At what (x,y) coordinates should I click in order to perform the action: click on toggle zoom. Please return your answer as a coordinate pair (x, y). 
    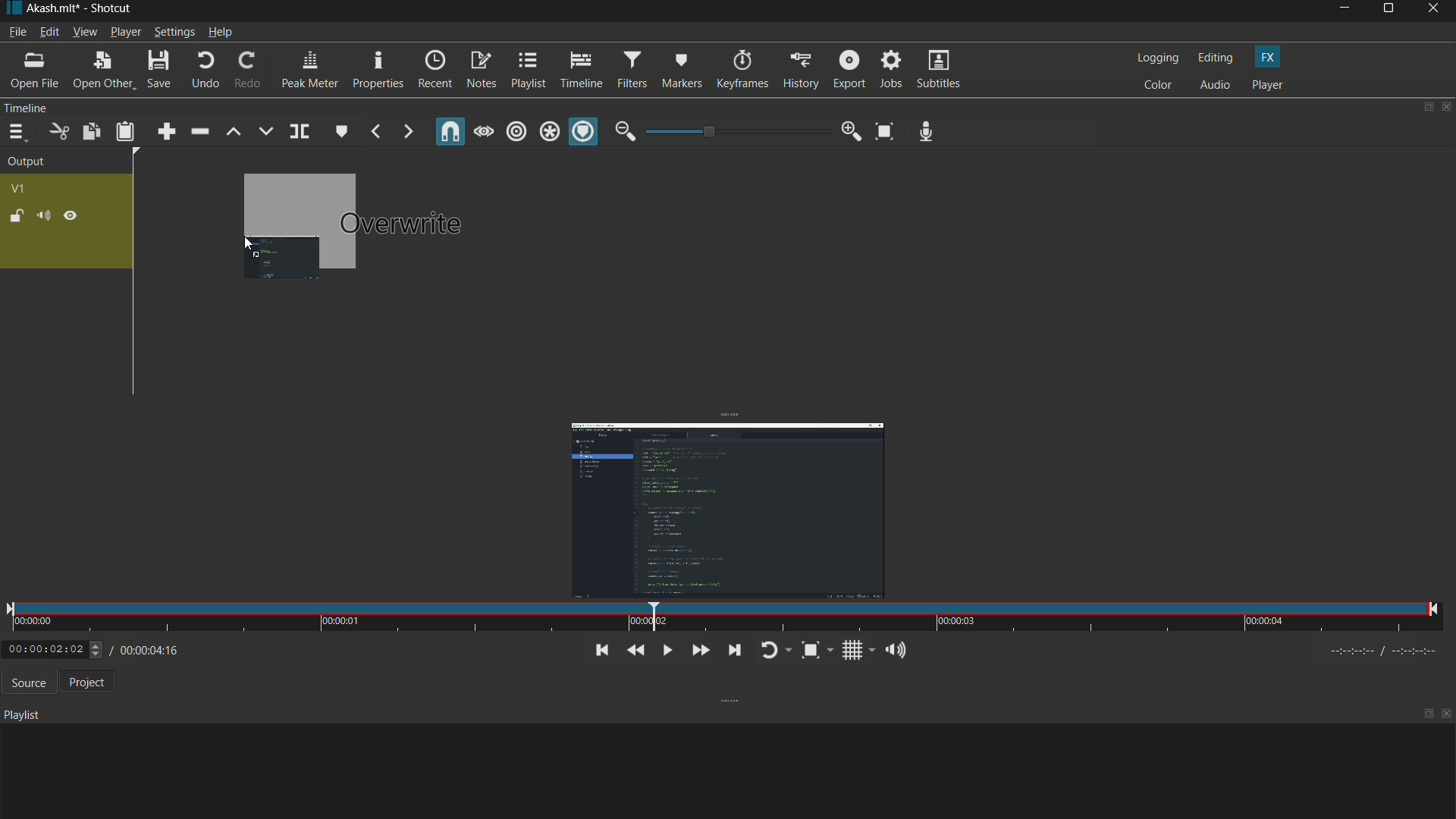
    Looking at the image, I should click on (886, 130).